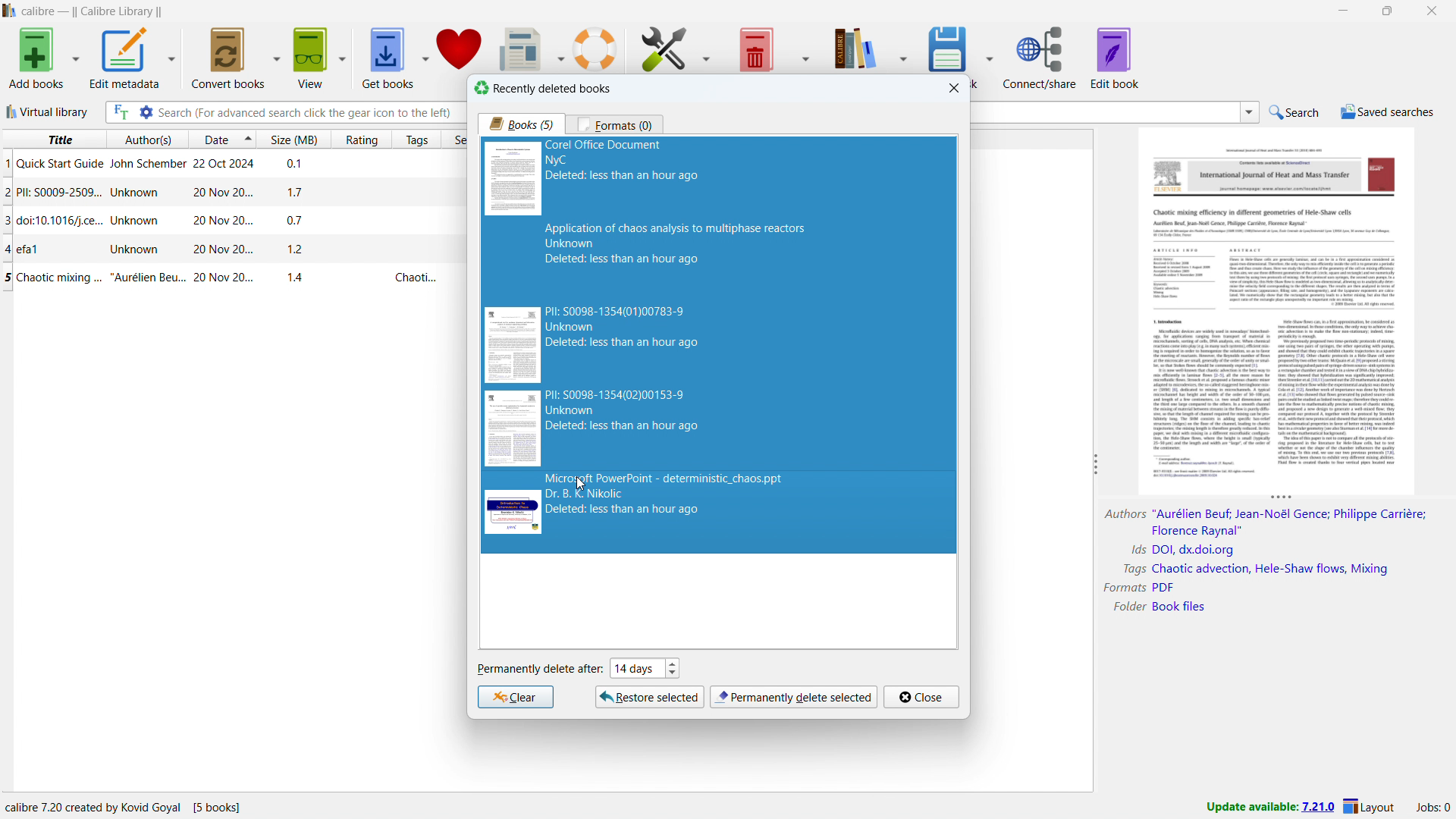 Image resolution: width=1456 pixels, height=819 pixels. I want to click on books, so click(522, 124).